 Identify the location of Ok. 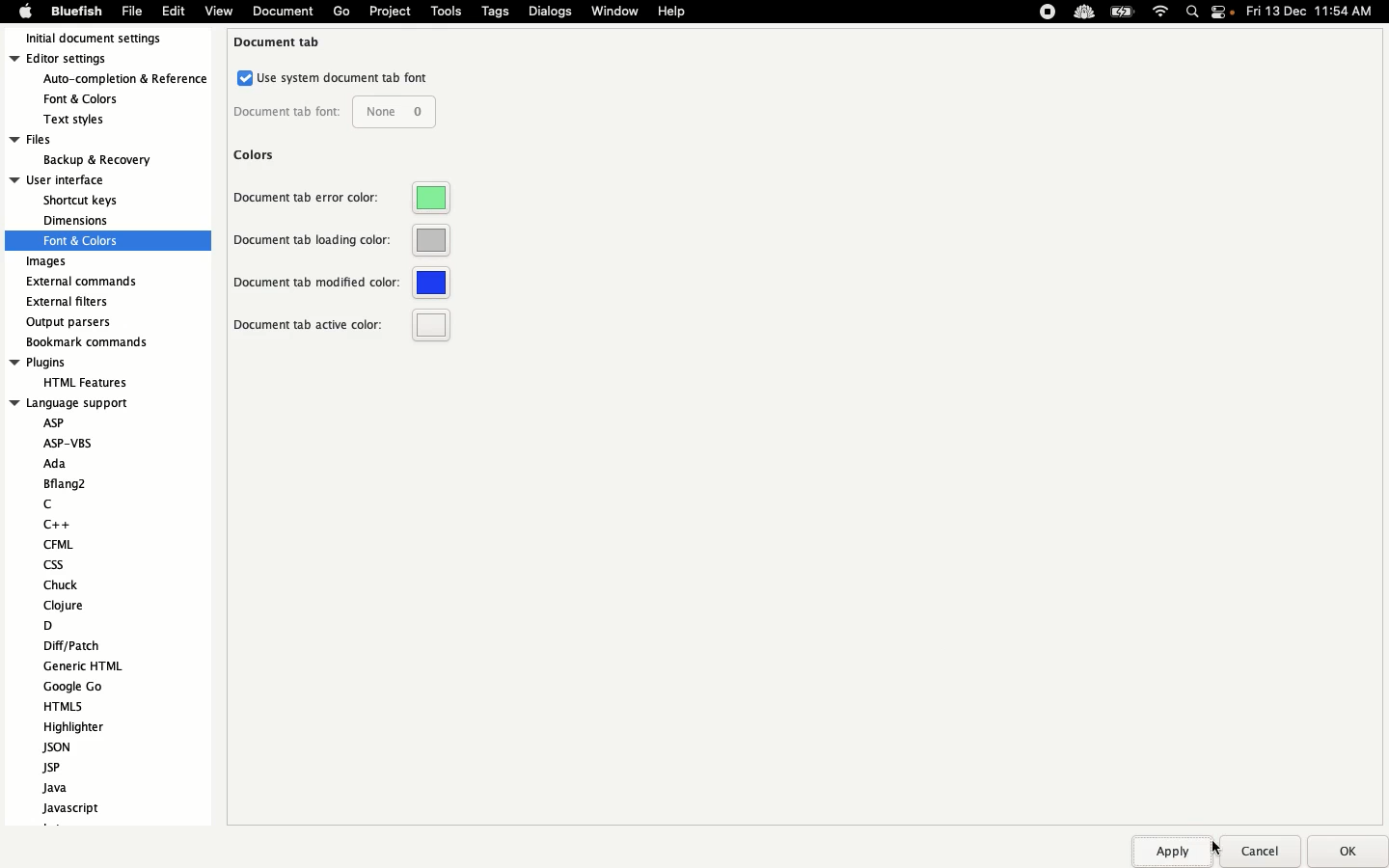
(1344, 851).